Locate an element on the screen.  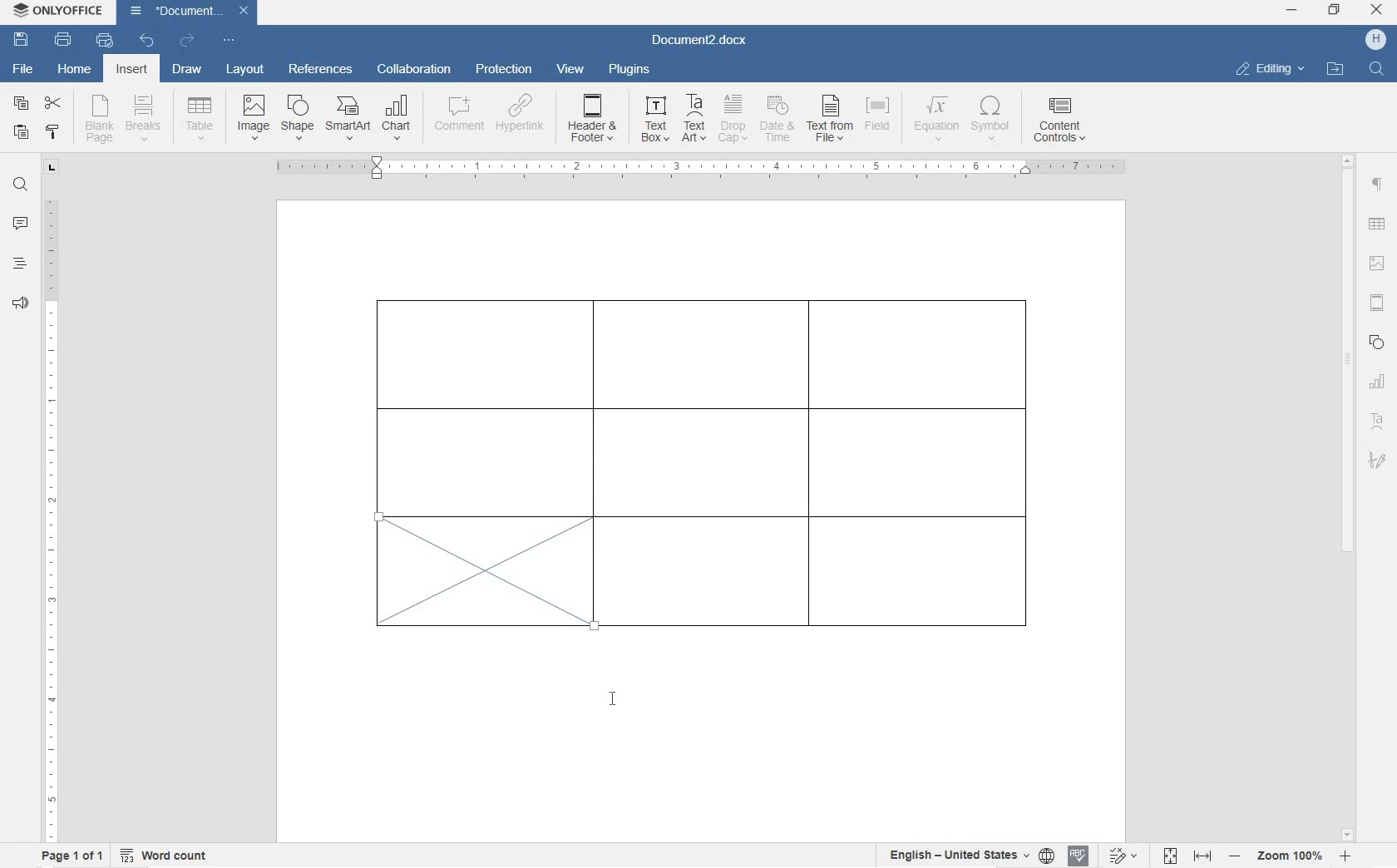
CHART is located at coordinates (397, 116).